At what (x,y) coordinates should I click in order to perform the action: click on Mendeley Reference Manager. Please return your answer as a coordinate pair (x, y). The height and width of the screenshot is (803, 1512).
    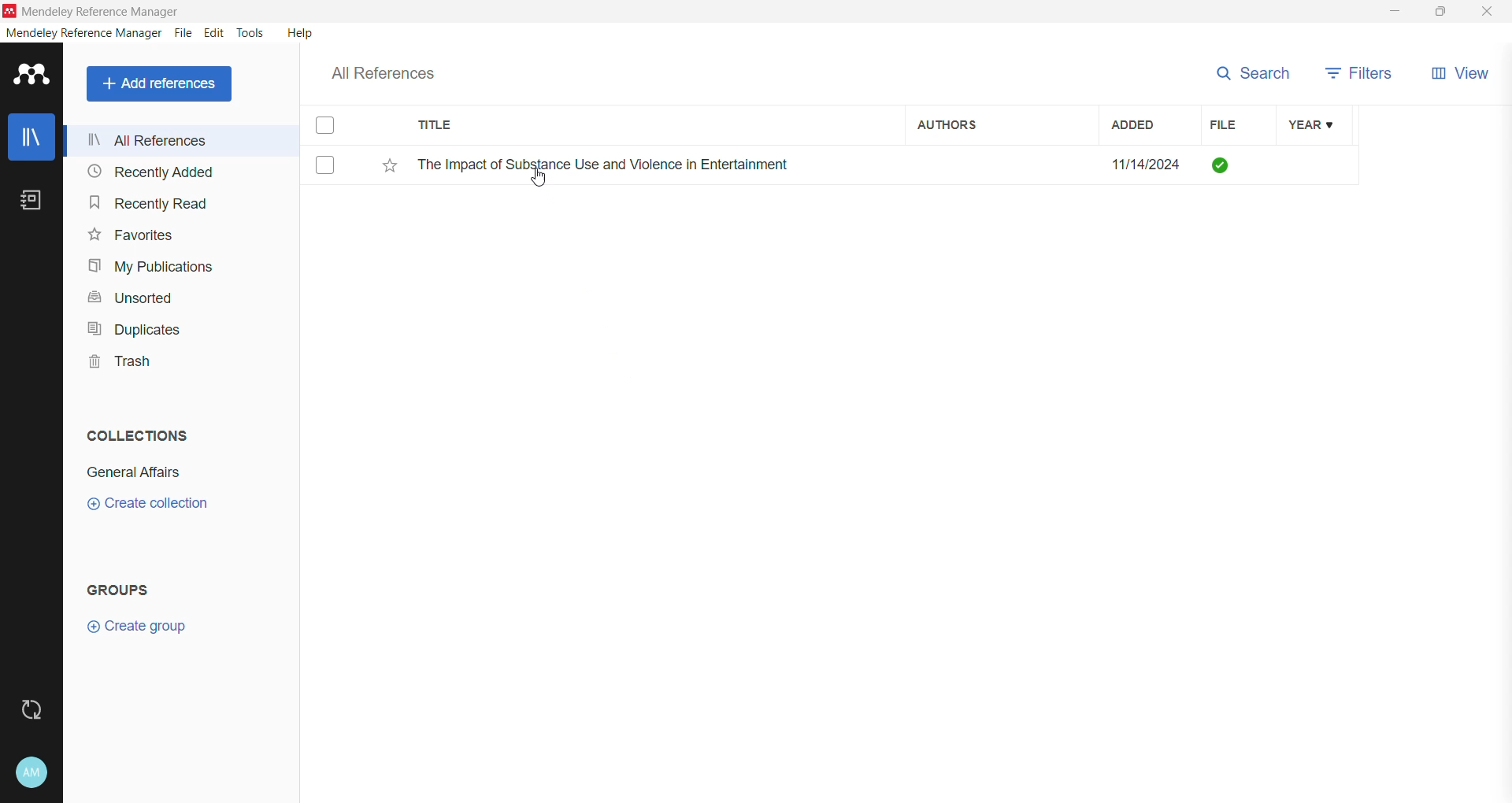
    Looking at the image, I should click on (84, 33).